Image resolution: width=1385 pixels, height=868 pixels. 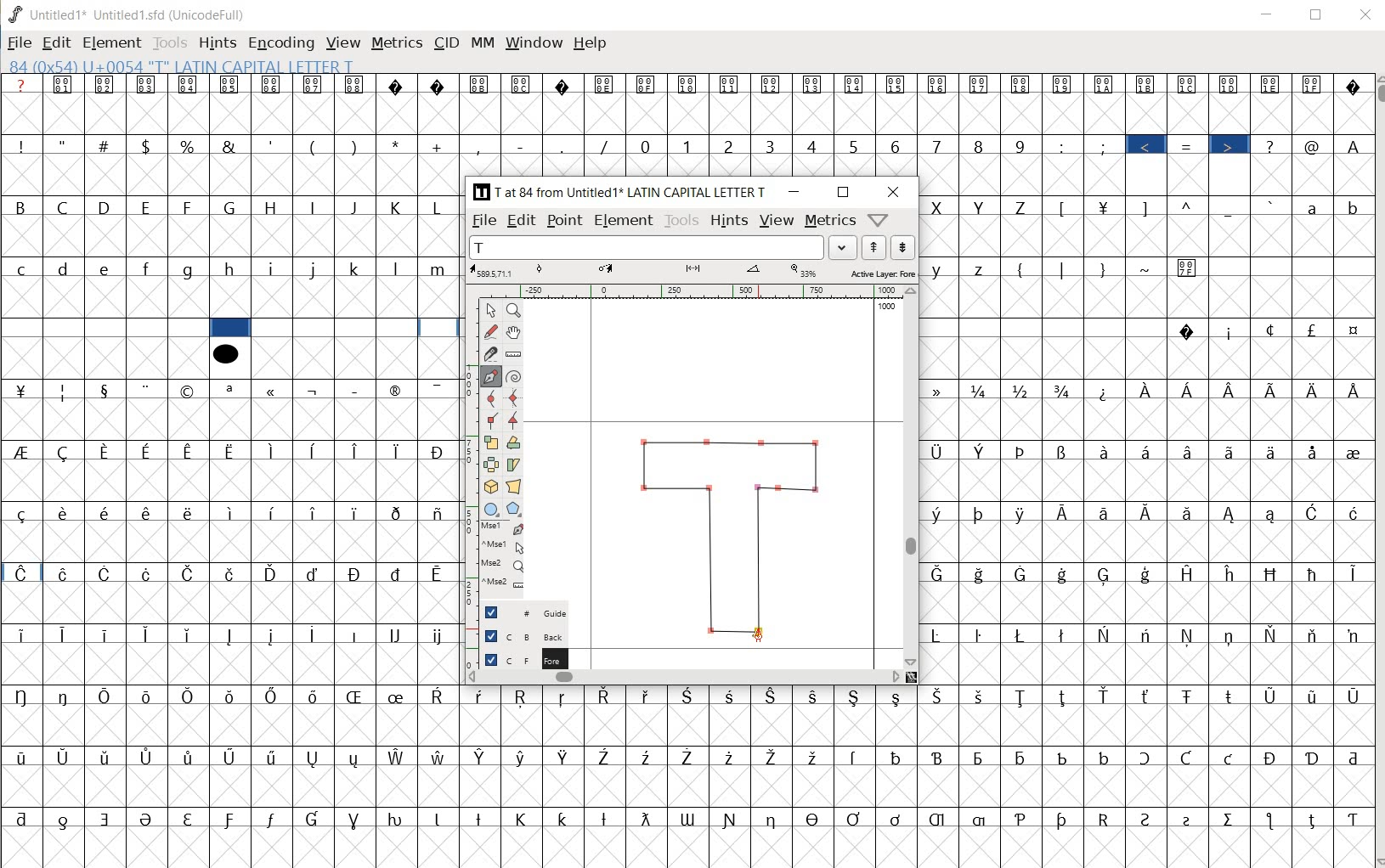 I want to click on 7, so click(x=936, y=145).